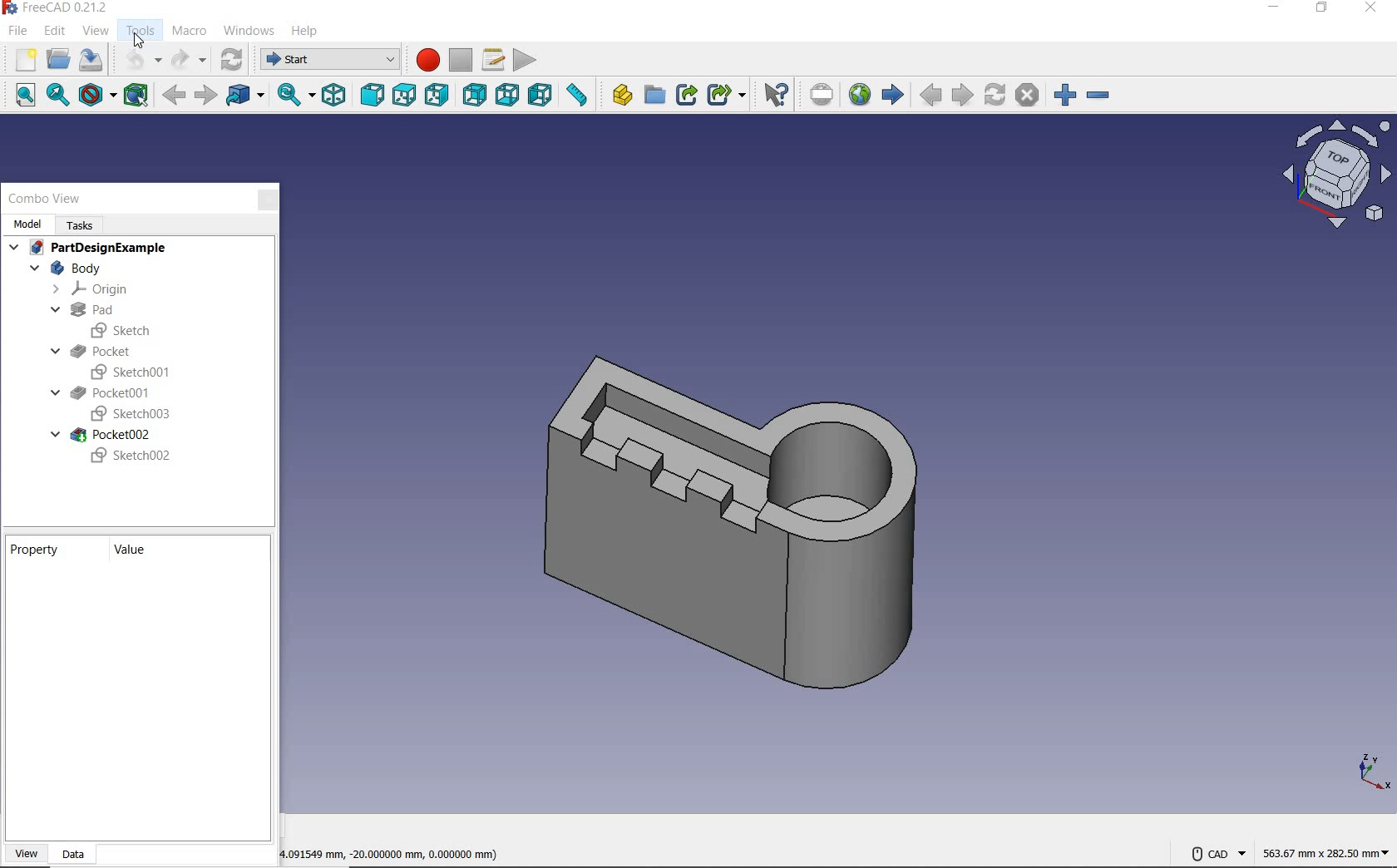  What do you see at coordinates (137, 62) in the screenshot?
I see `Undo` at bounding box center [137, 62].